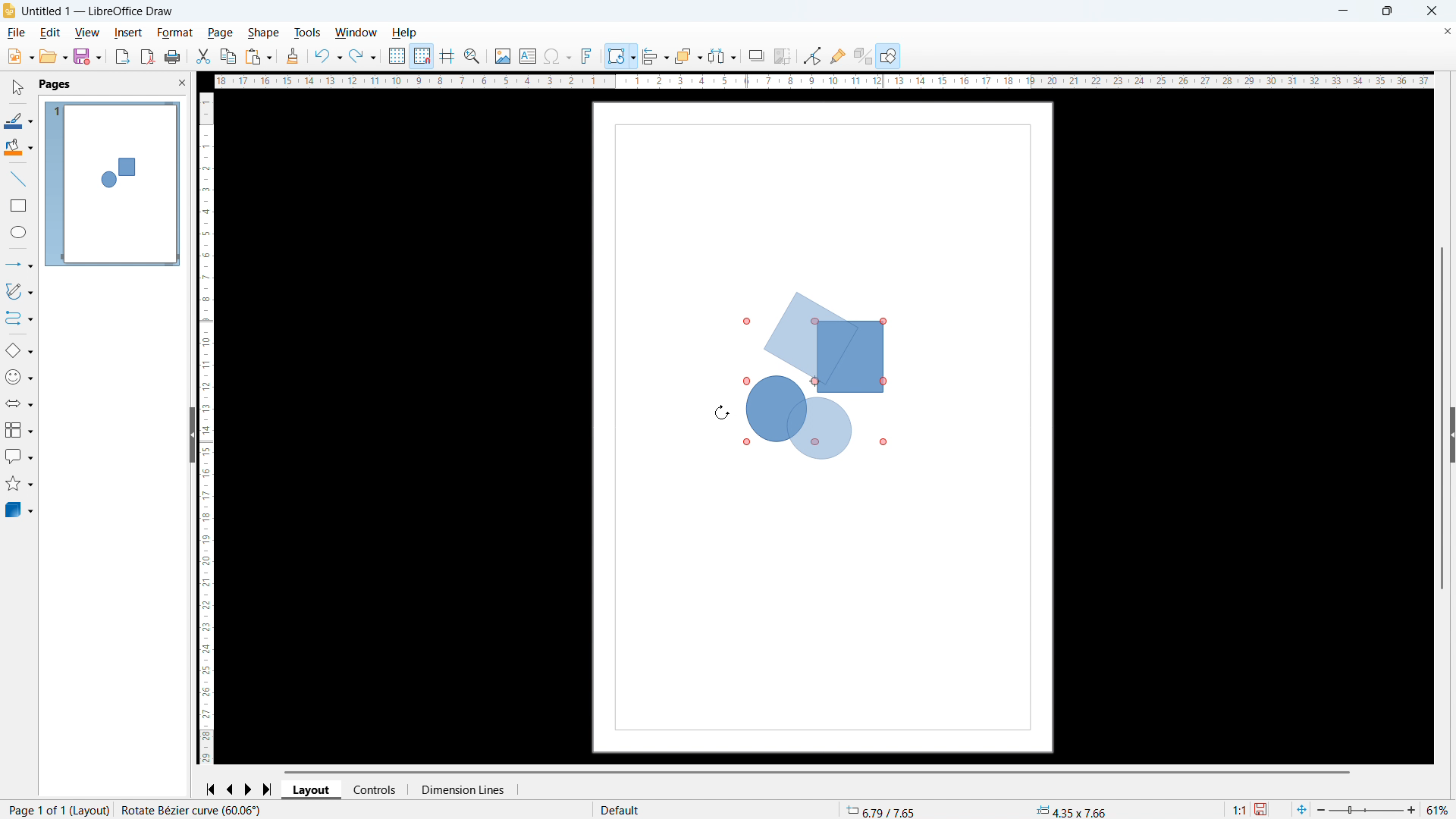 The height and width of the screenshot is (819, 1456). I want to click on Tools , so click(308, 32).